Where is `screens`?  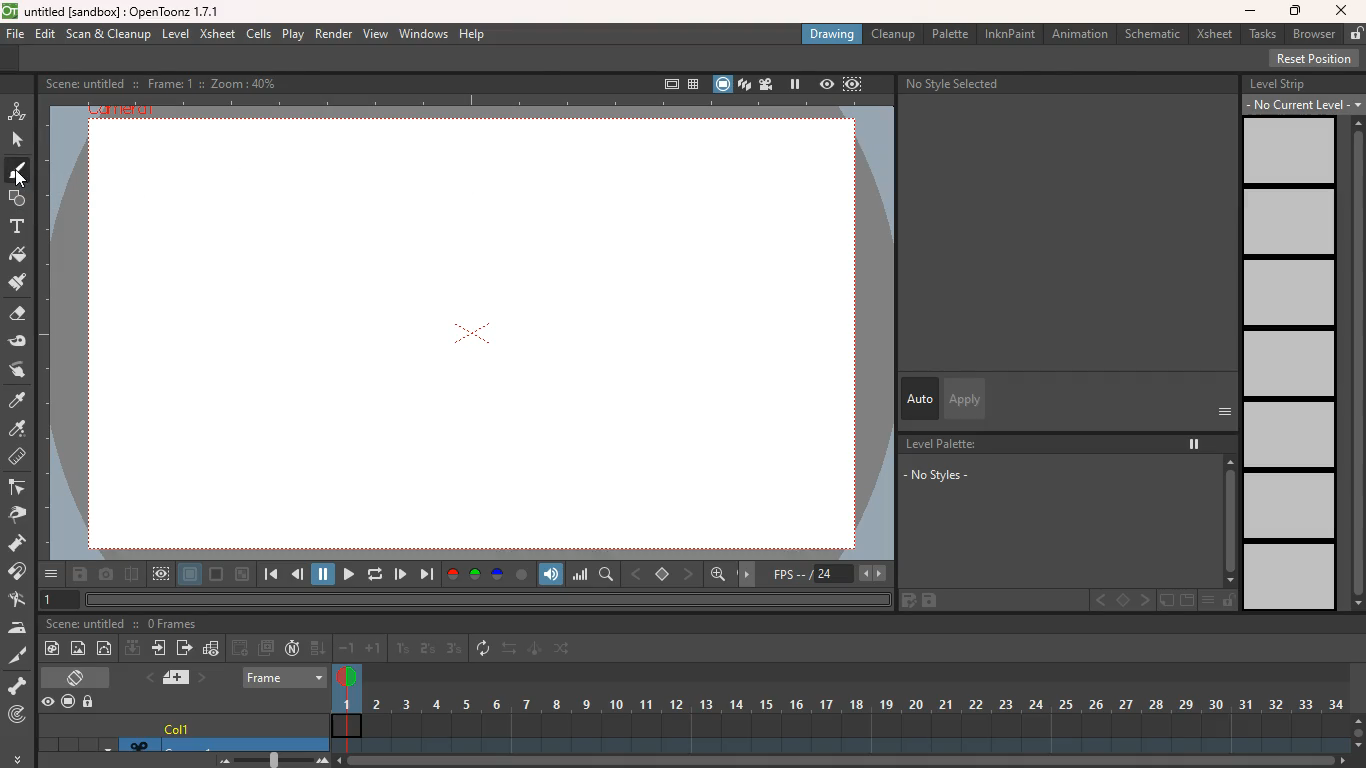
screens is located at coordinates (268, 648).